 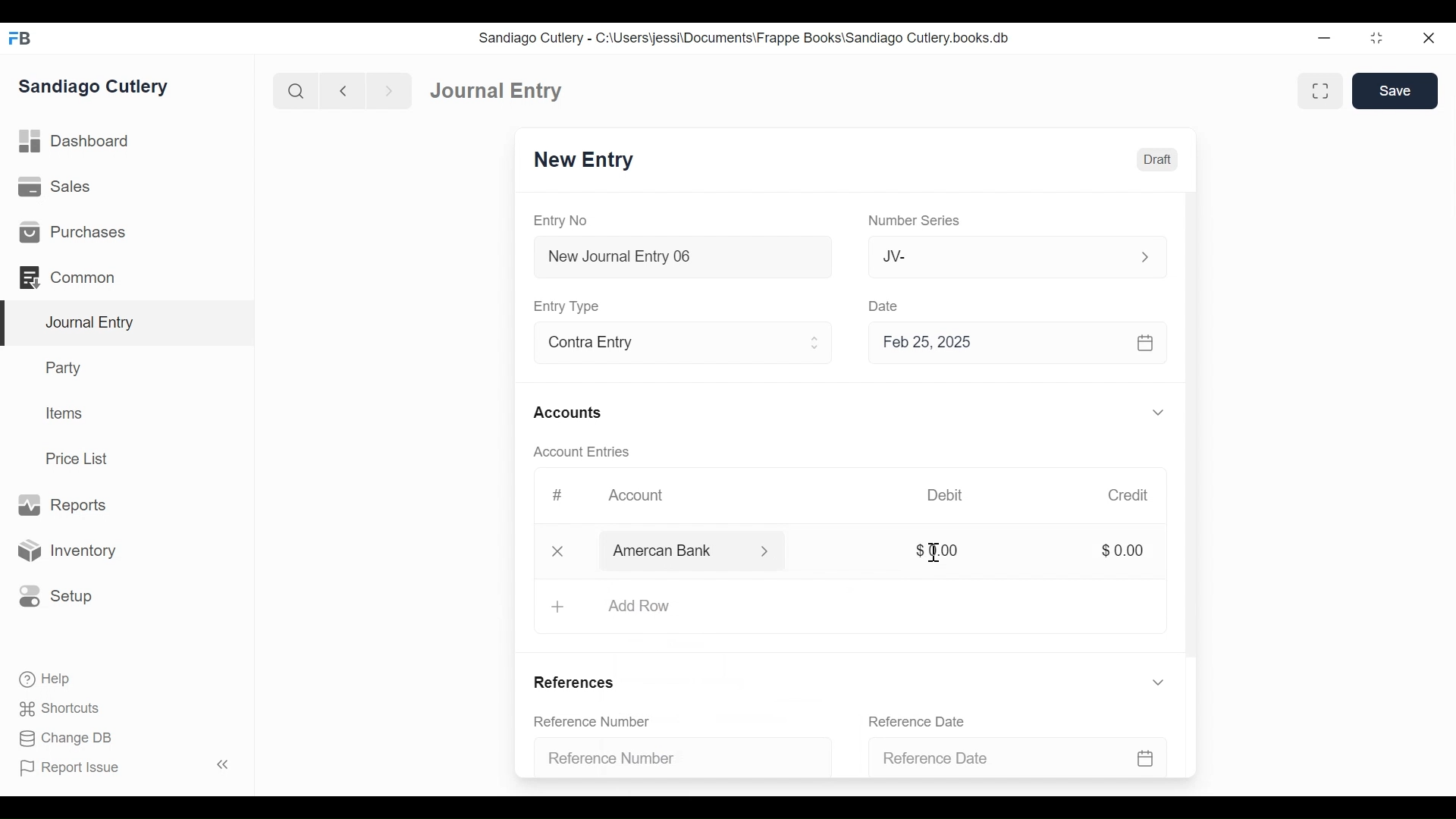 What do you see at coordinates (924, 721) in the screenshot?
I see `Reference Date` at bounding box center [924, 721].